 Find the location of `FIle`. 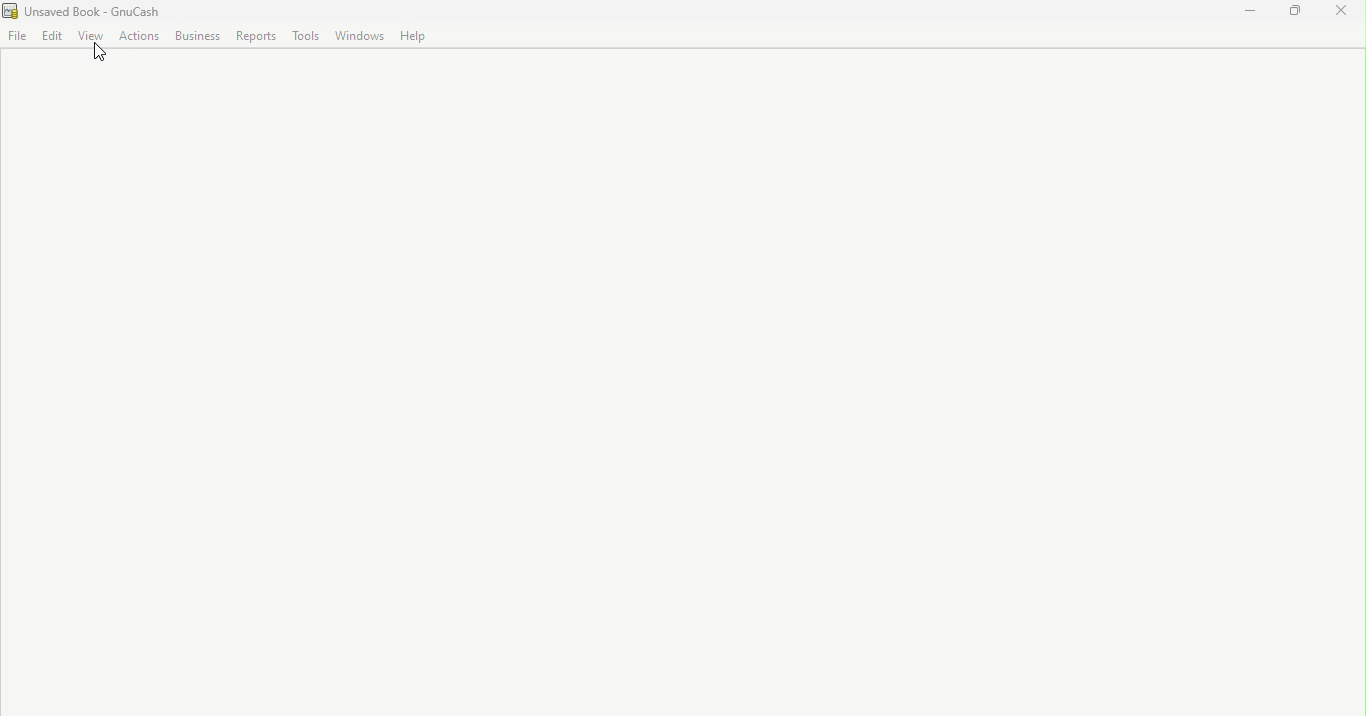

FIle is located at coordinates (18, 38).